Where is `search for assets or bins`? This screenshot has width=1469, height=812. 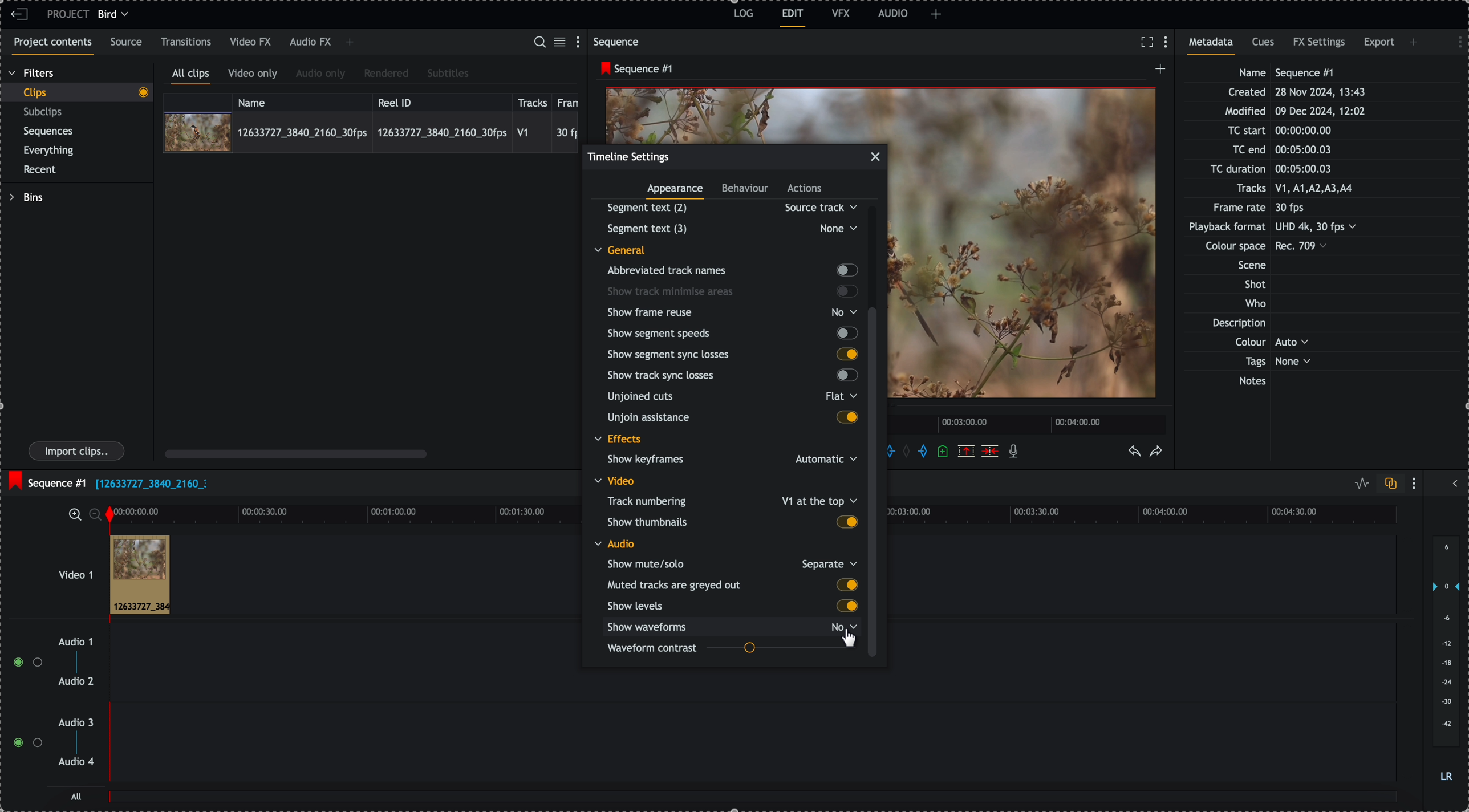 search for assets or bins is located at coordinates (539, 43).